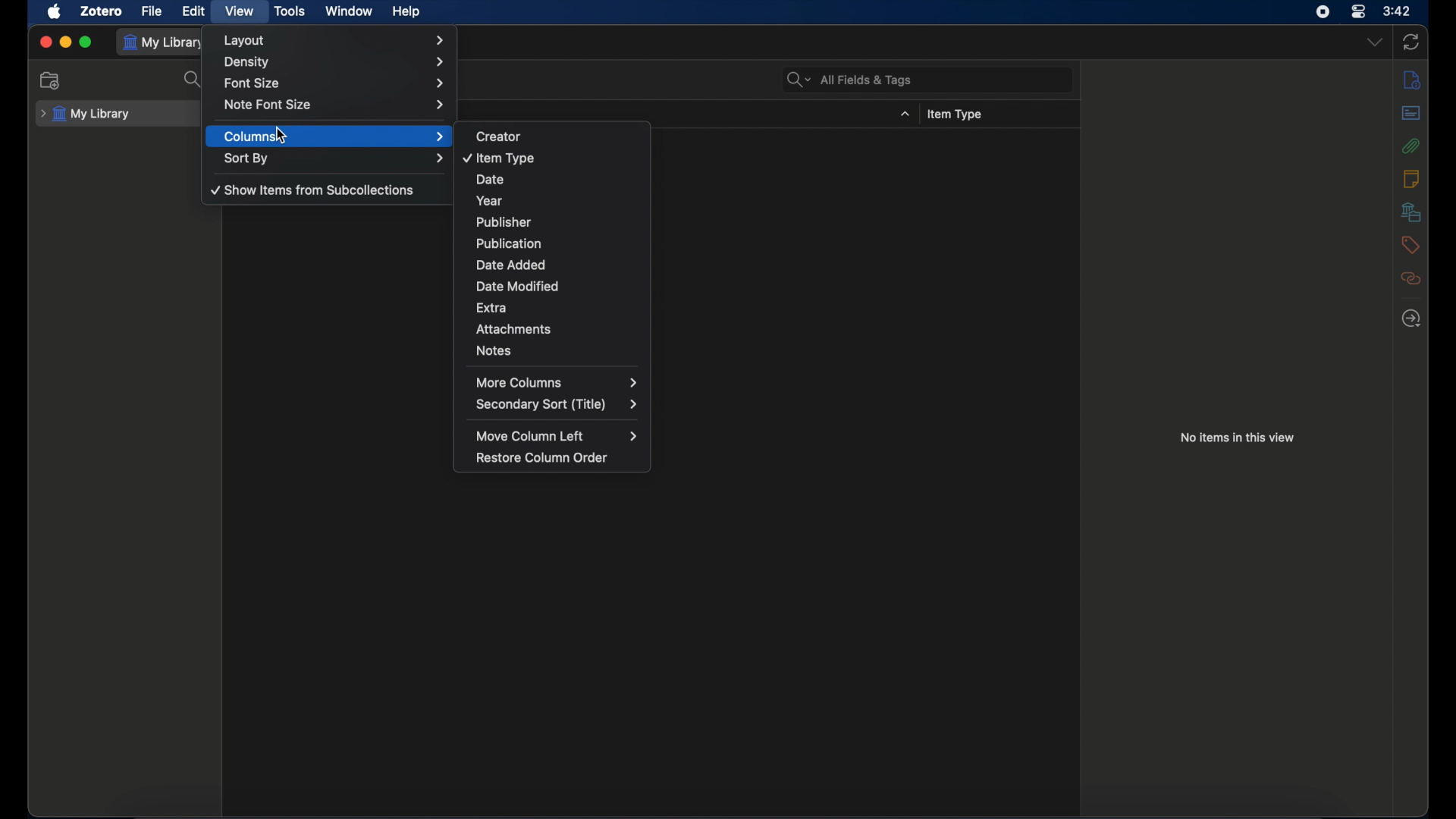 The height and width of the screenshot is (819, 1456). What do you see at coordinates (55, 12) in the screenshot?
I see `apple icon` at bounding box center [55, 12].